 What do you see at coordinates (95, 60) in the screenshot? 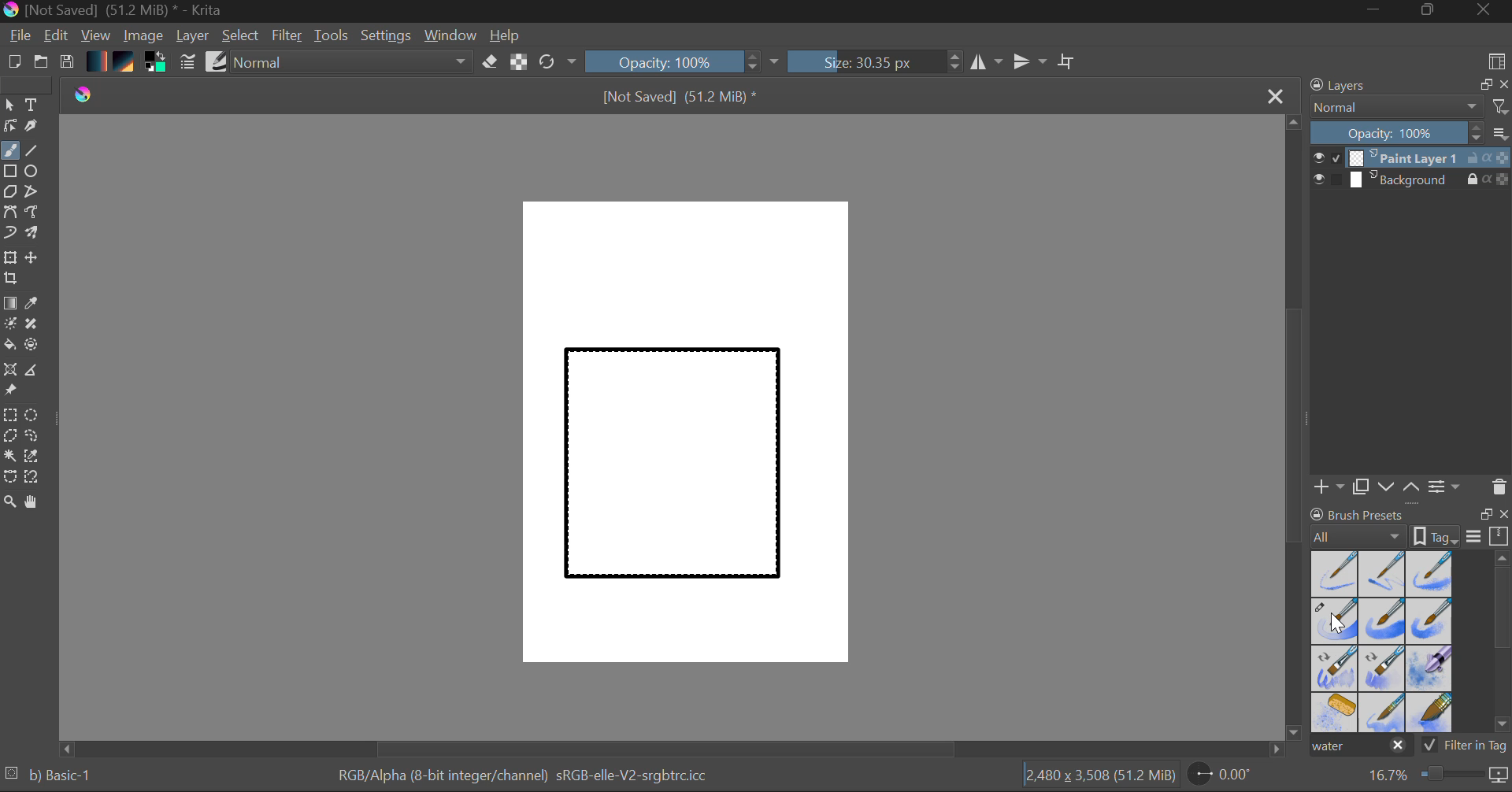
I see `Gradient` at bounding box center [95, 60].